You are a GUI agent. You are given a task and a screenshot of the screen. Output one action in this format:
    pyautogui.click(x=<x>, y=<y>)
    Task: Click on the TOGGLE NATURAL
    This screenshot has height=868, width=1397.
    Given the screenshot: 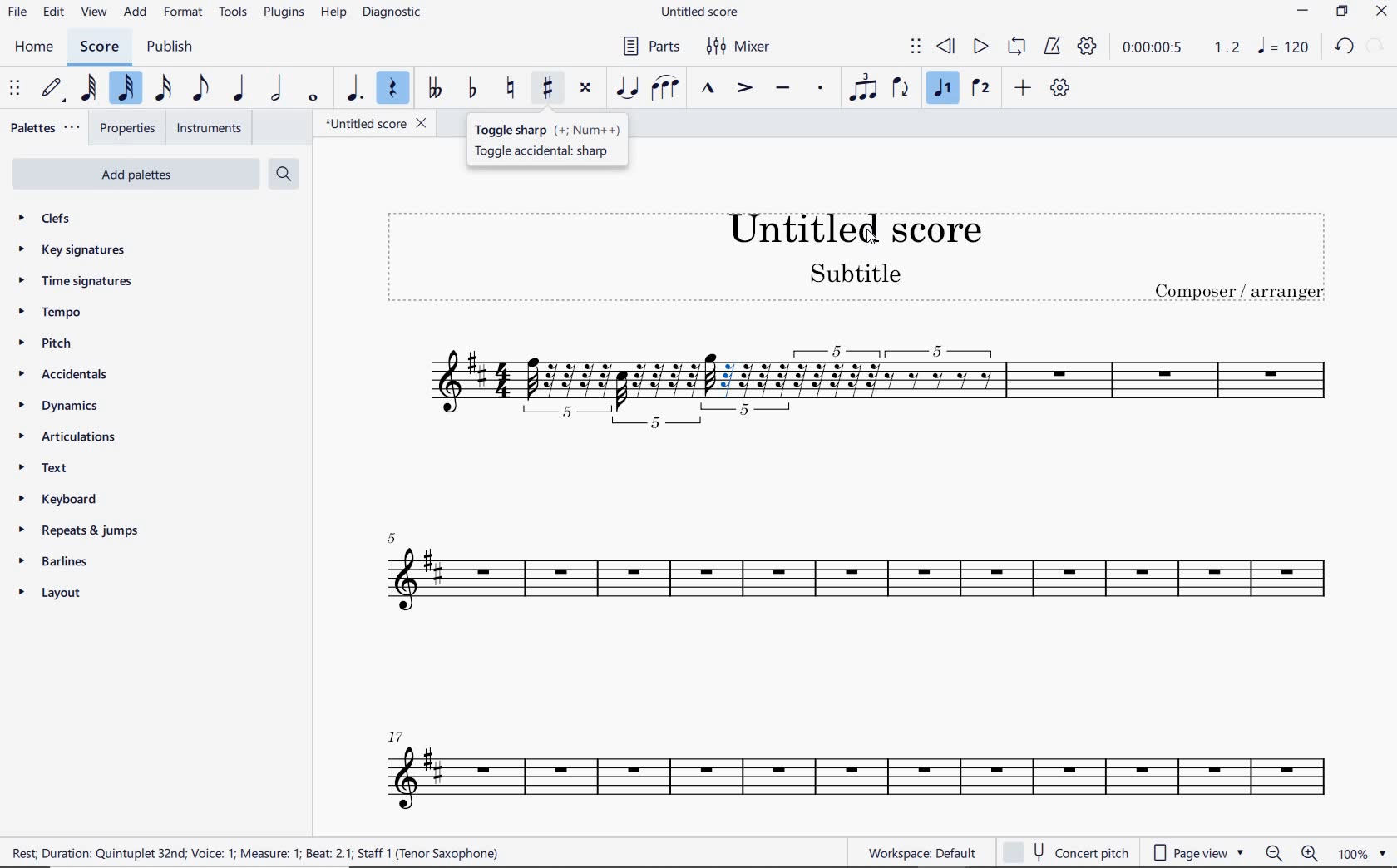 What is the action you would take?
    pyautogui.click(x=514, y=90)
    